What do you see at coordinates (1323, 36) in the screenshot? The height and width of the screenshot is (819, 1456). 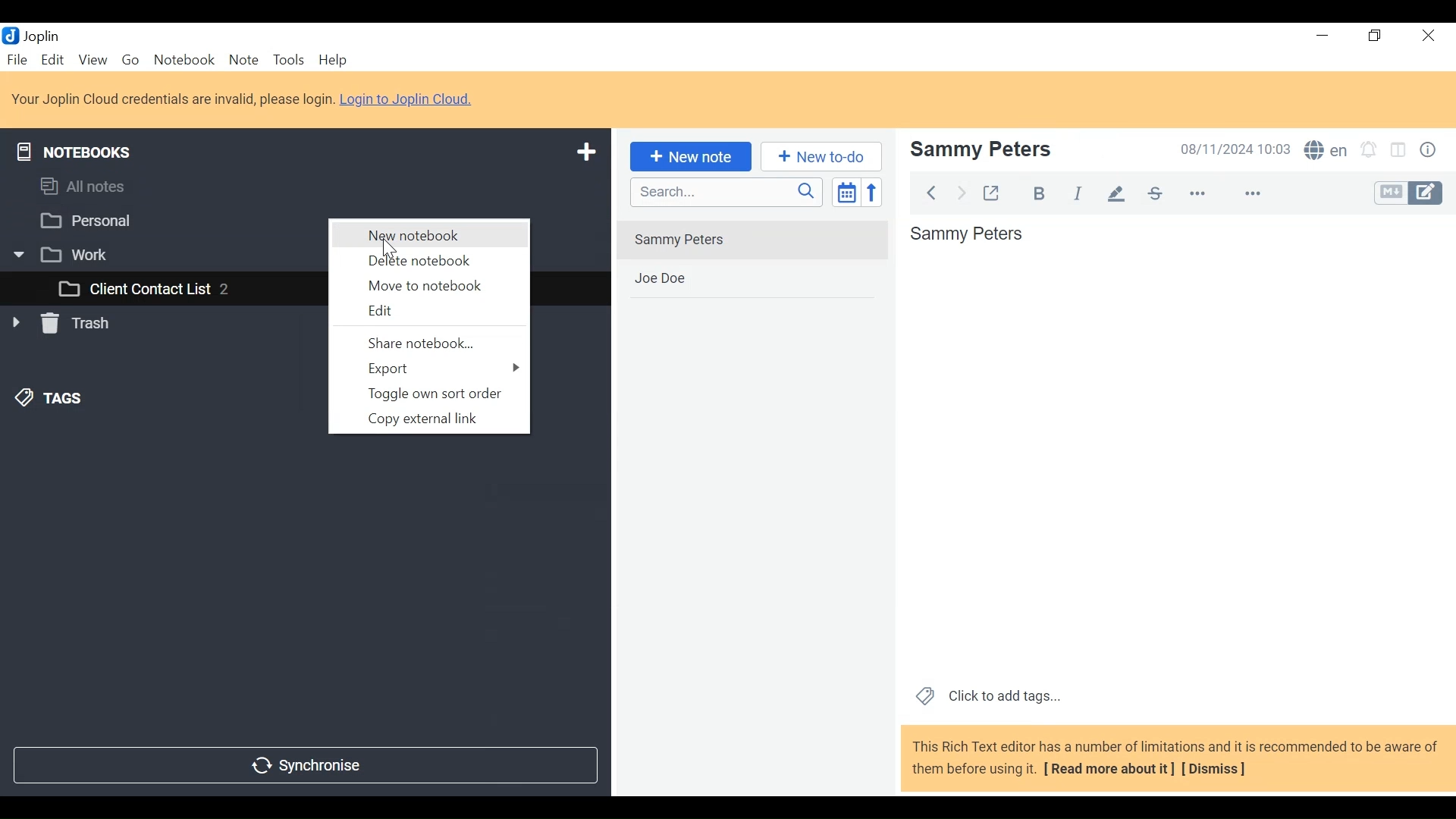 I see `minimize` at bounding box center [1323, 36].